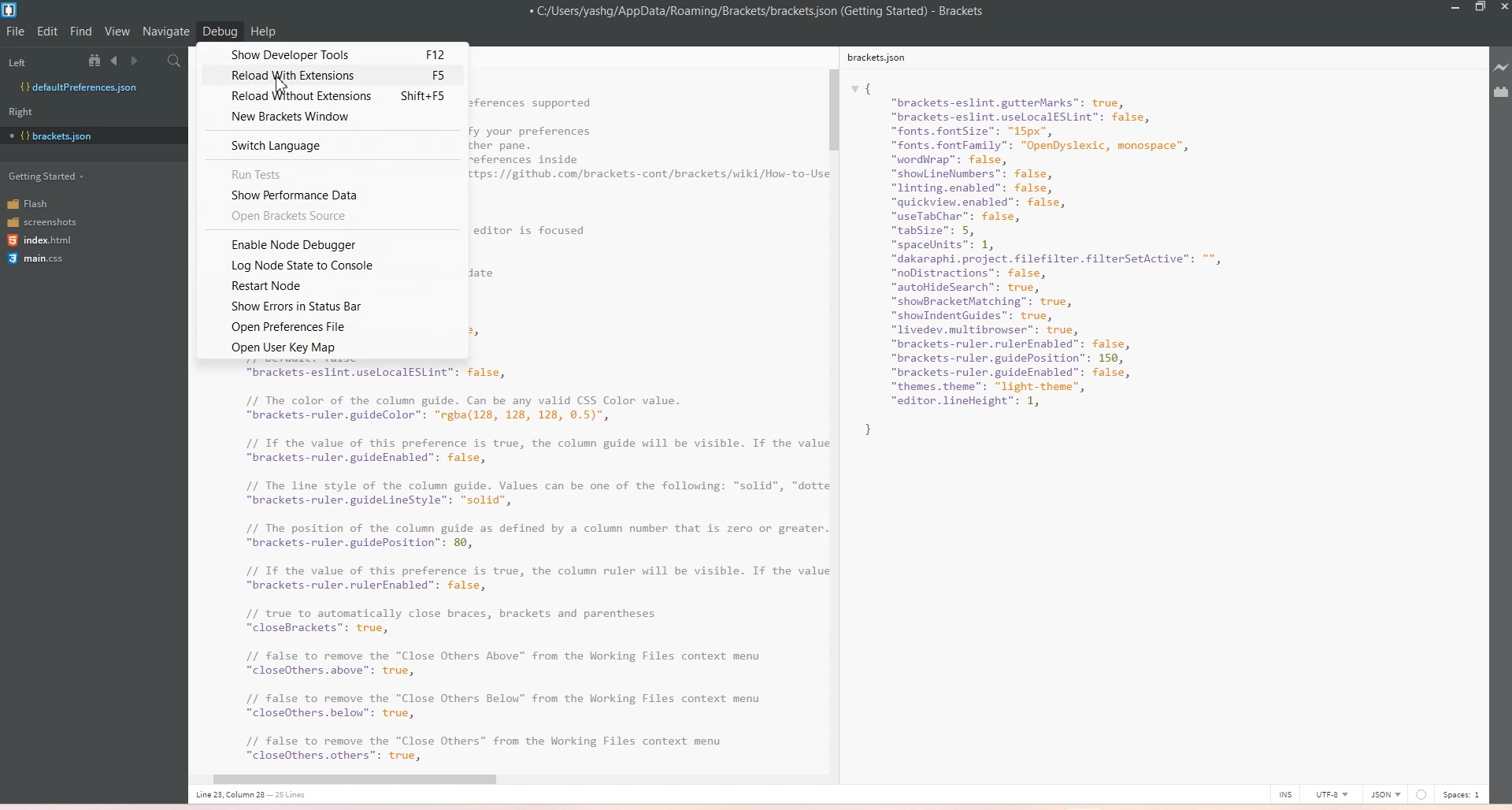 The height and width of the screenshot is (810, 1512). What do you see at coordinates (1499, 68) in the screenshot?
I see `Live Preview` at bounding box center [1499, 68].